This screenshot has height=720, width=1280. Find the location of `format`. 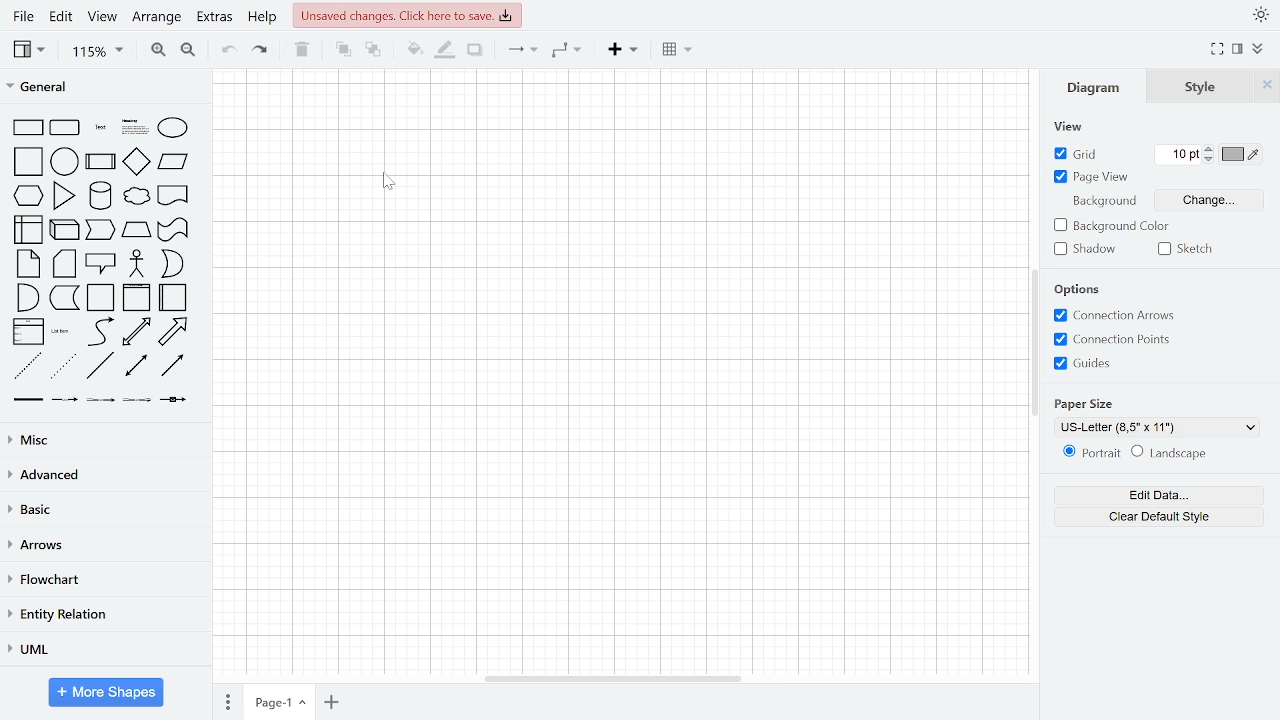

format is located at coordinates (1237, 49).